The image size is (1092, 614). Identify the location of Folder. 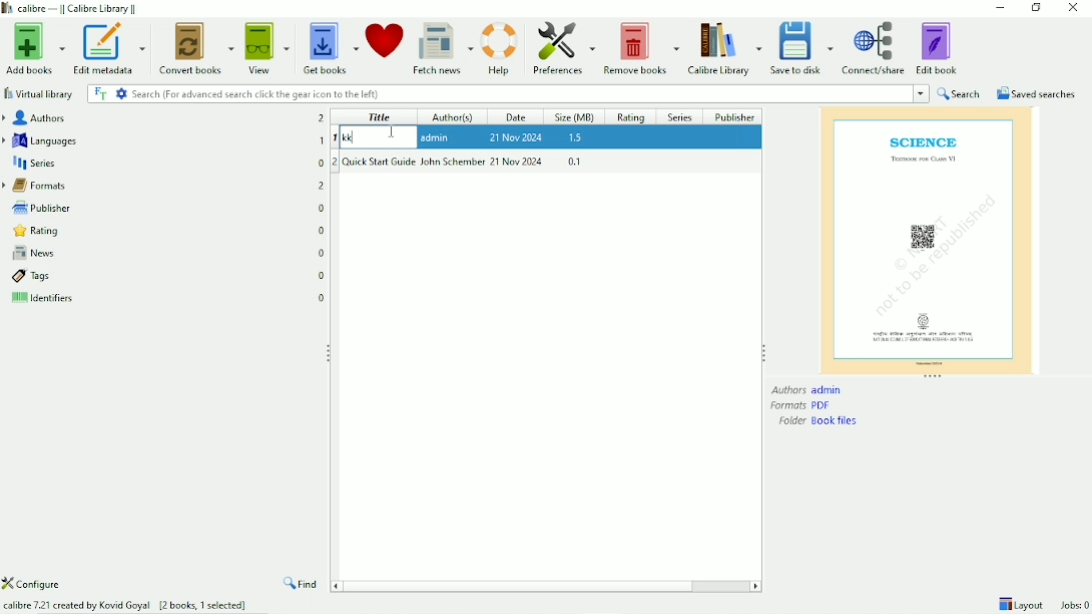
(820, 421).